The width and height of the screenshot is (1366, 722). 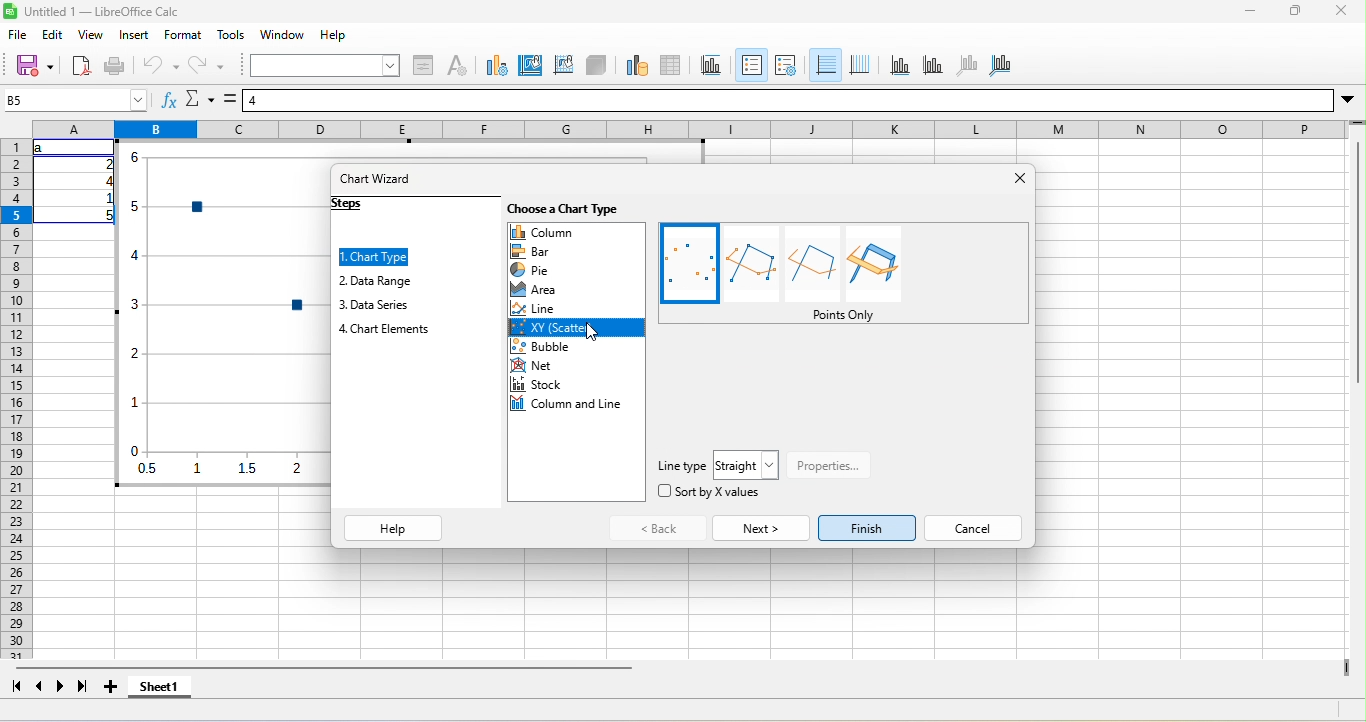 I want to click on title, so click(x=712, y=67).